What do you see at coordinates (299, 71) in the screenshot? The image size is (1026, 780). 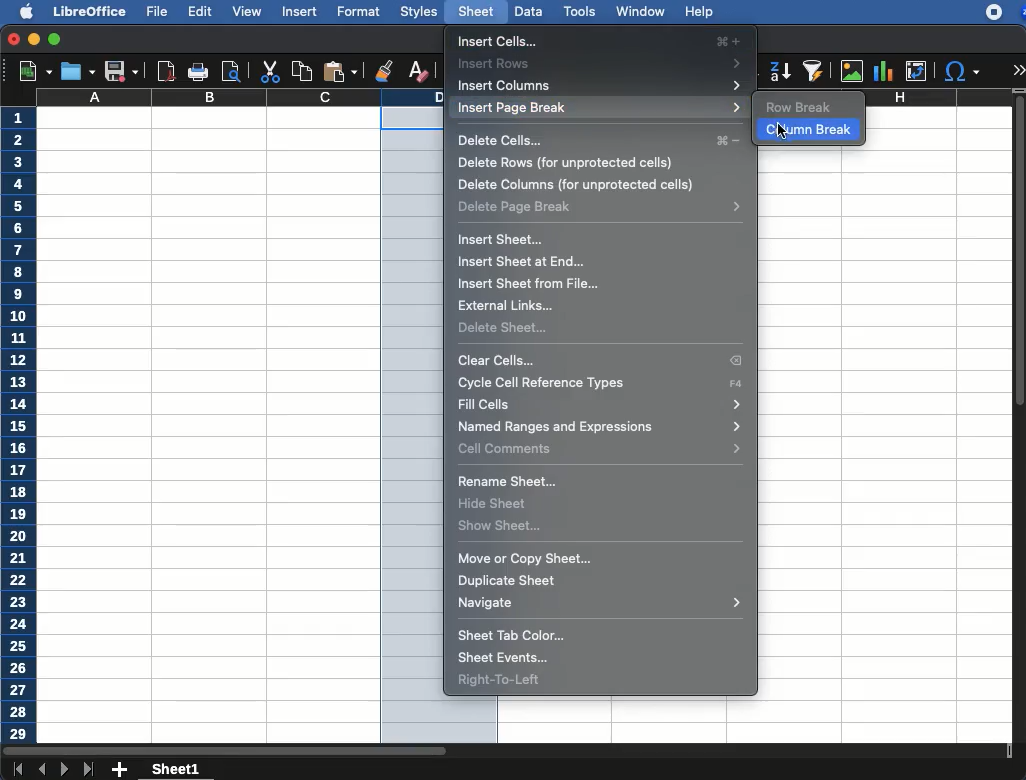 I see `copy` at bounding box center [299, 71].